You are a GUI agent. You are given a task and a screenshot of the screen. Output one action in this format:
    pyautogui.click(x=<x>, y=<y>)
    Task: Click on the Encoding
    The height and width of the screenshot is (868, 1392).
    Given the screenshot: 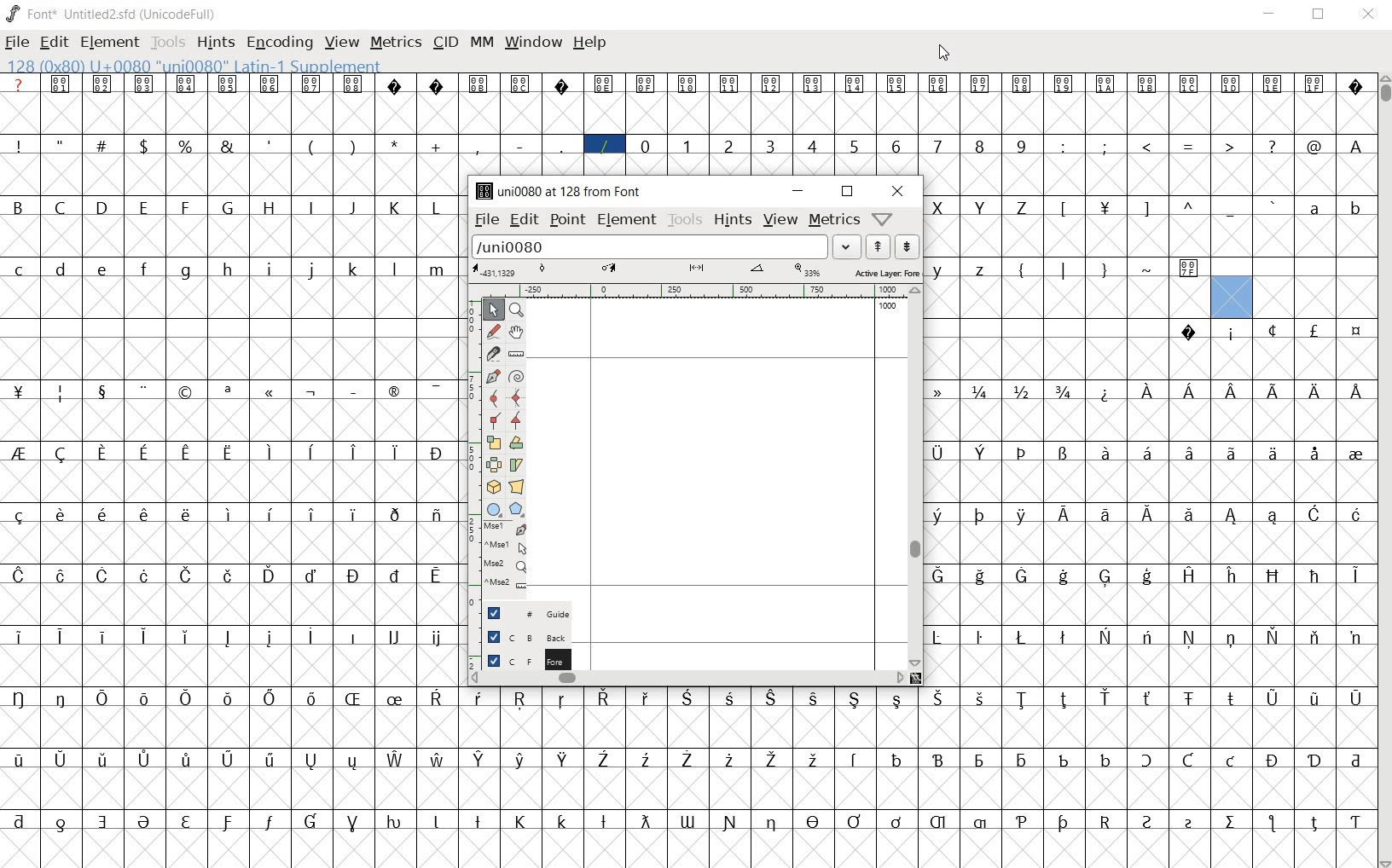 What is the action you would take?
    pyautogui.click(x=181, y=12)
    